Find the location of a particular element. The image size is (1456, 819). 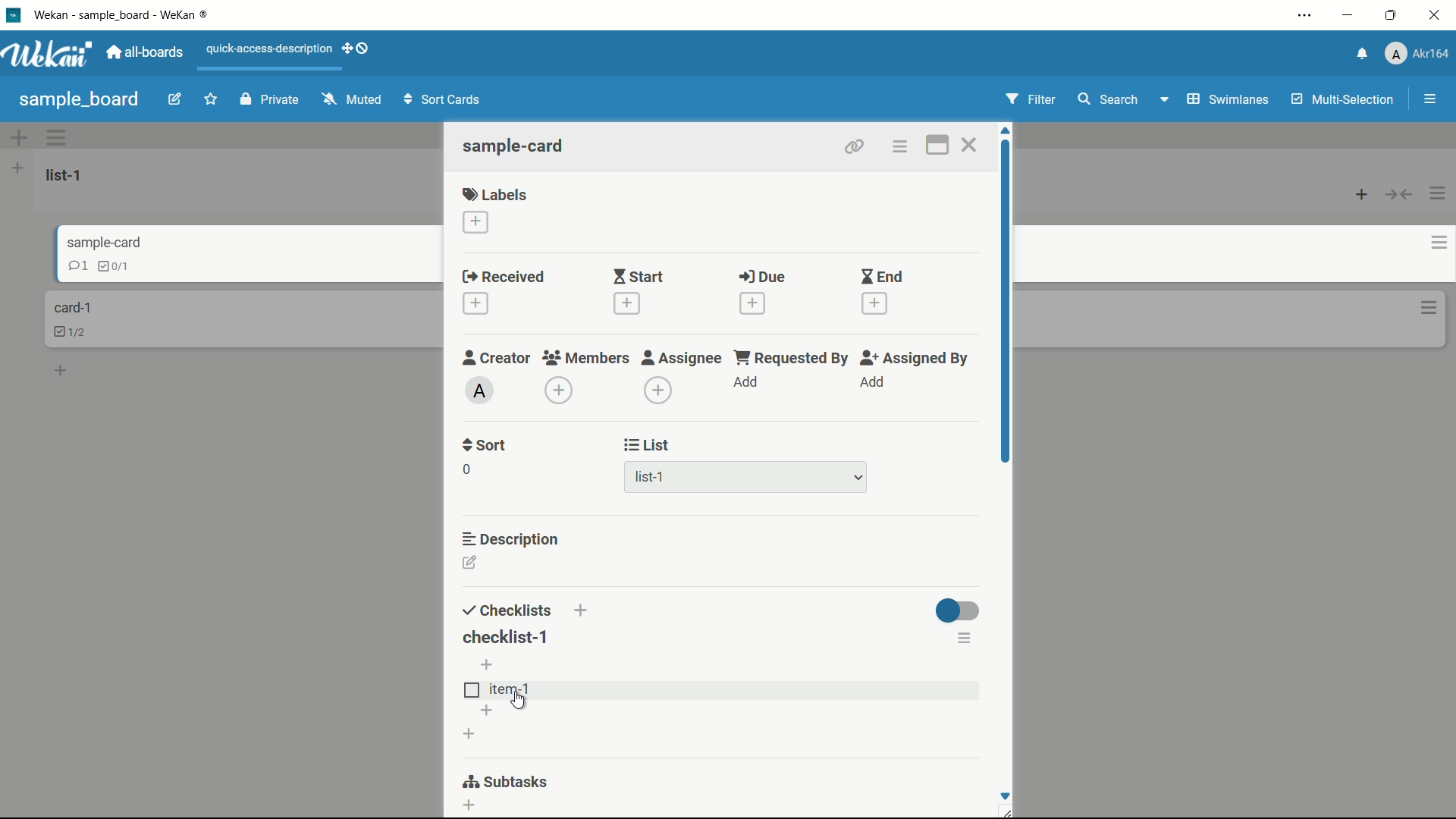

card name is located at coordinates (515, 145).